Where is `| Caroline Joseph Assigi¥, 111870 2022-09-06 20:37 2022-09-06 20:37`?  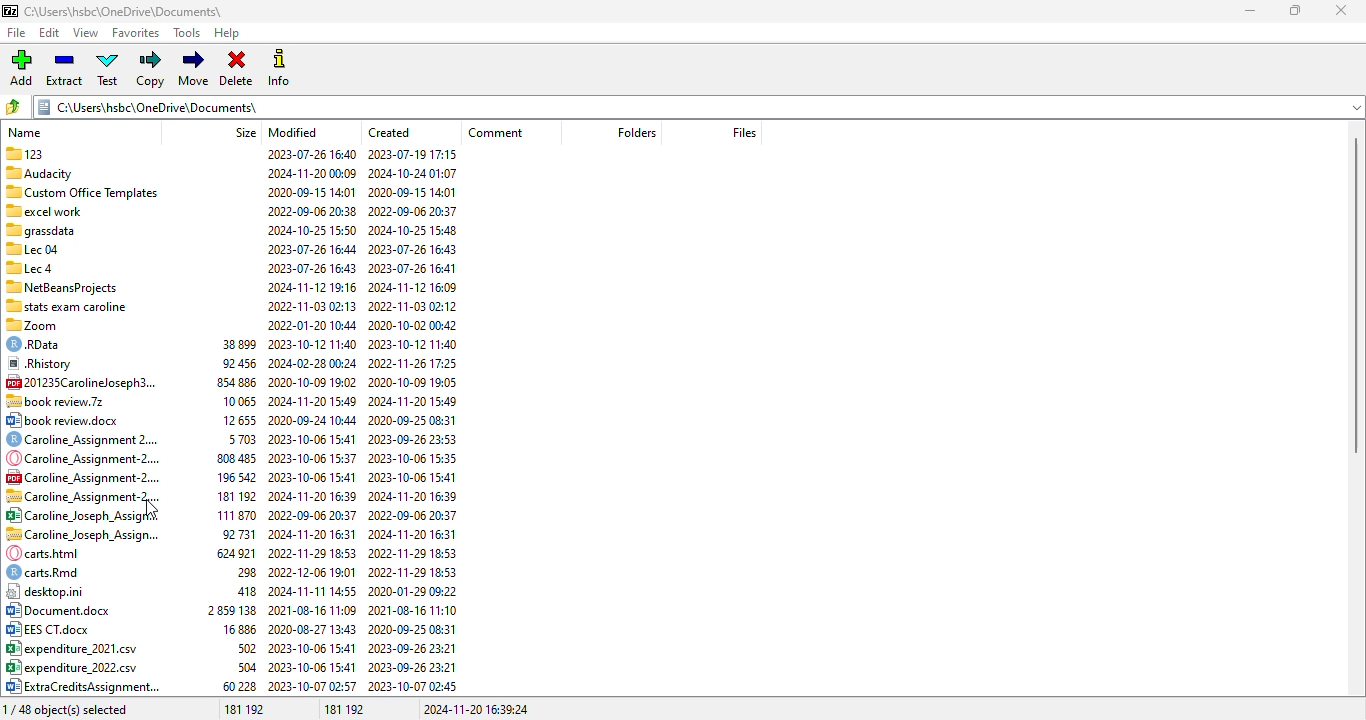
| Caroline Joseph Assigi¥, 111870 2022-09-06 20:37 2022-09-06 20:37 is located at coordinates (230, 515).